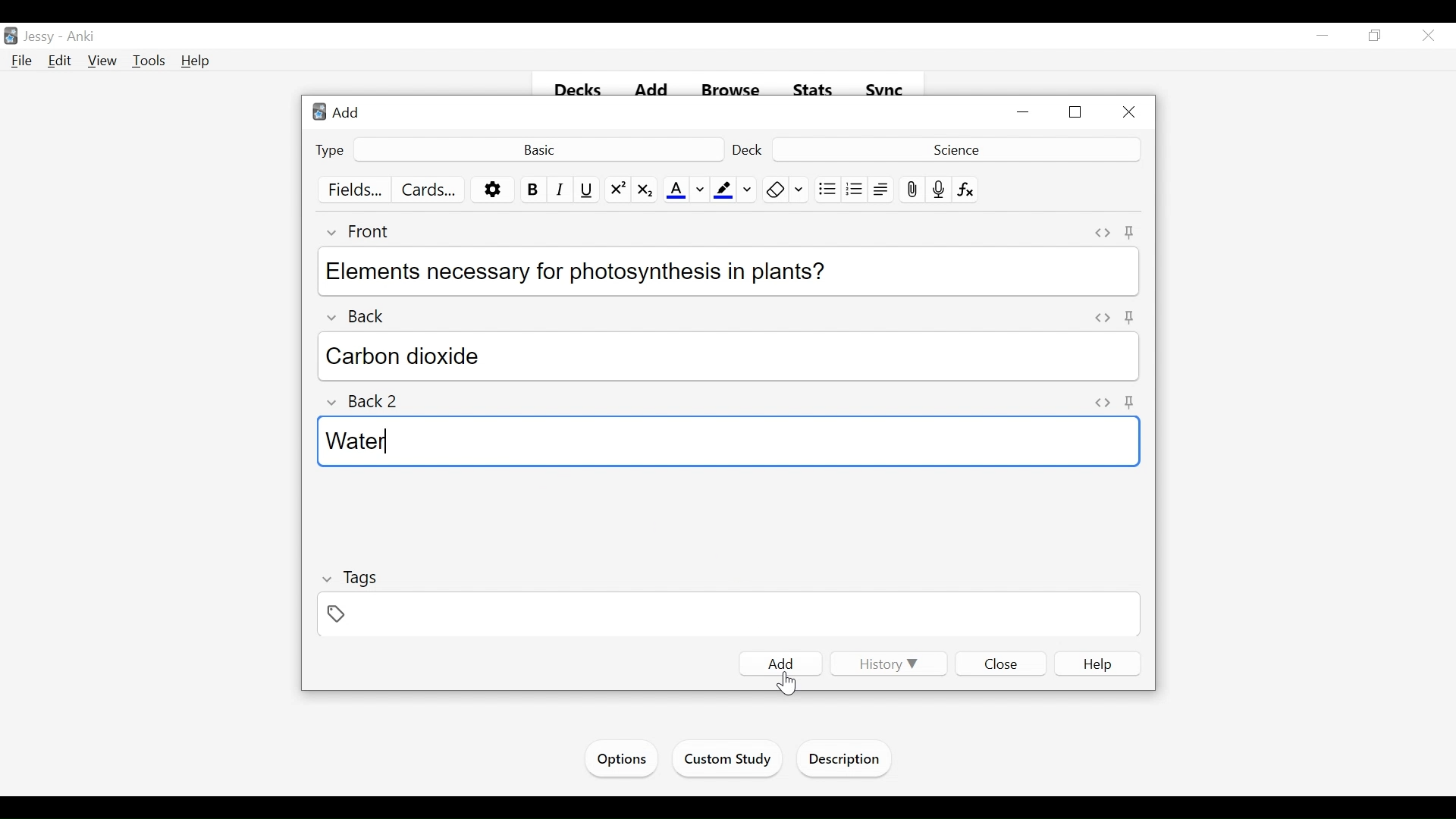 This screenshot has height=819, width=1456. What do you see at coordinates (367, 231) in the screenshot?
I see `Front` at bounding box center [367, 231].